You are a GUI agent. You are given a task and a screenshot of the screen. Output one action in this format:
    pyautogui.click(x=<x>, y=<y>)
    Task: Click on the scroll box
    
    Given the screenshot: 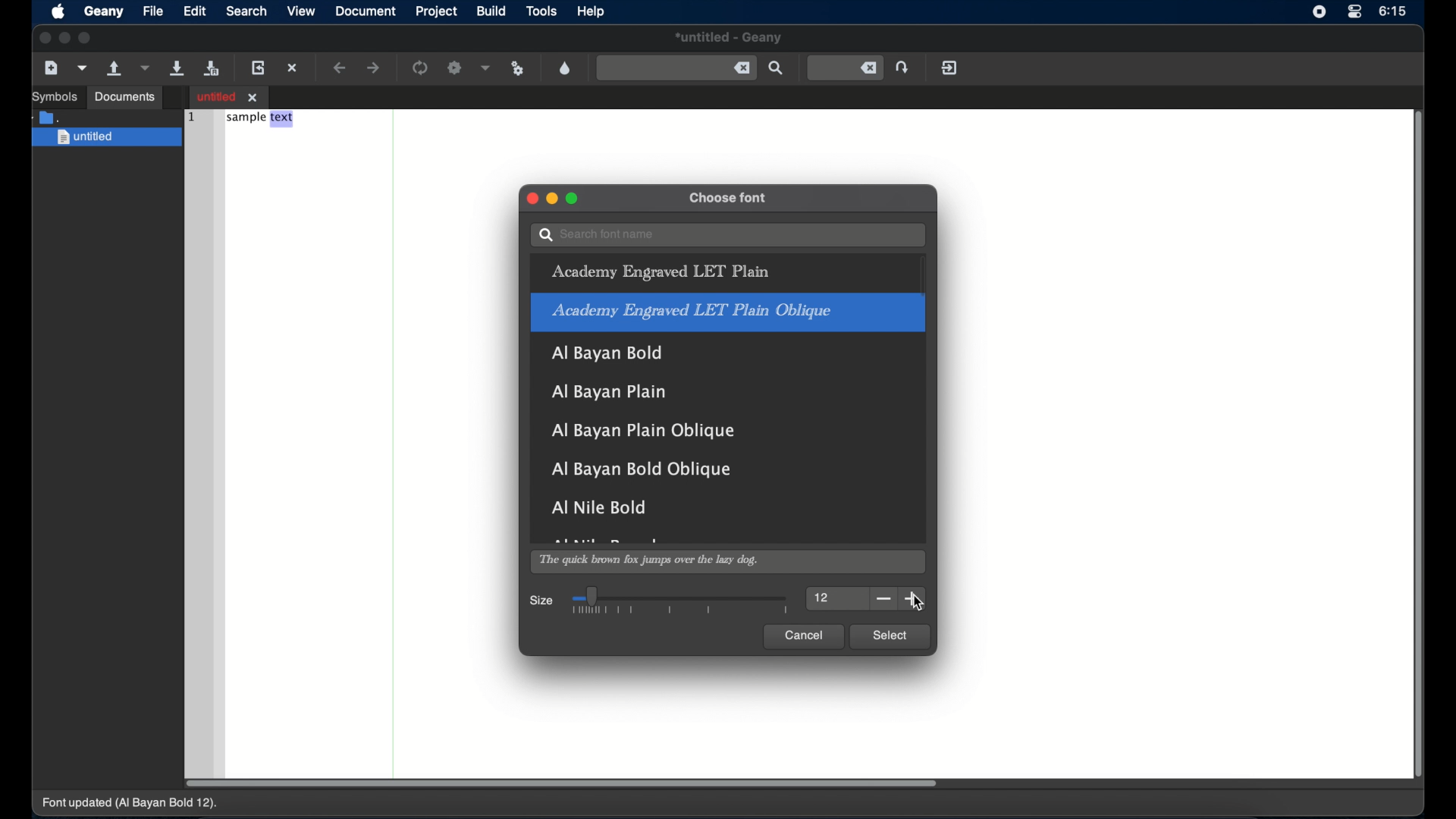 What is the action you would take?
    pyautogui.click(x=561, y=783)
    